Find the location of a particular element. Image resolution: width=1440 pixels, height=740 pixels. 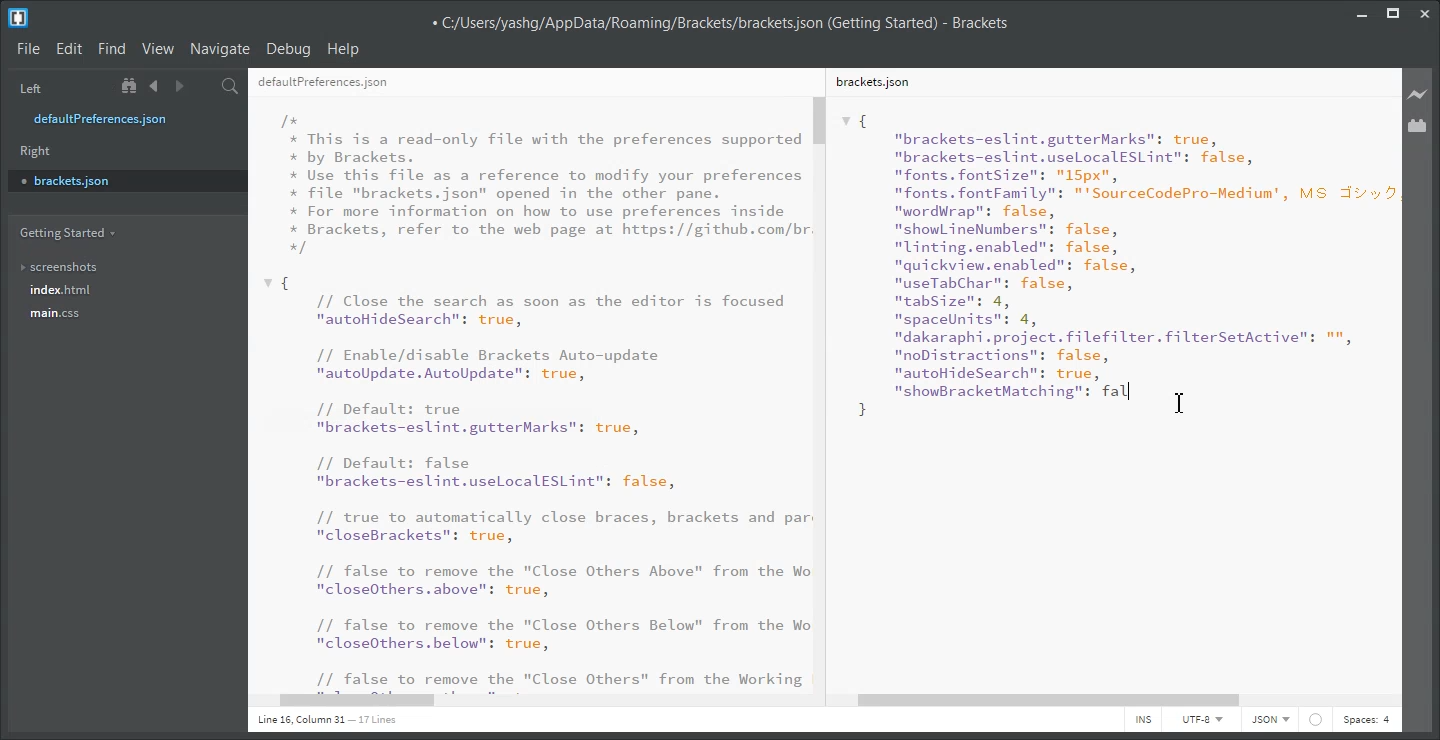

{
// Close the search as soon as the editor is focused
"autoHideSearch": true,
// Enable/disable Brackets Auto-update
"autoUpdate. AutoUpdate": true,
// Default: true
"brackets-eslint.gutterMarks": true,
// Default: false
"brackets-eslint.uselocalESLint": false,
// true to automatically close braces, brackets and par
"closeBrackets": true,
// false to remove the "Close Others Above" from the Wo
"closeOthers. above": true,
// false to remove the "Close Others Below" from the Wo
"closeOthers.below": true,
// false to remove the "Close Others" from the Working is located at coordinates (536, 482).